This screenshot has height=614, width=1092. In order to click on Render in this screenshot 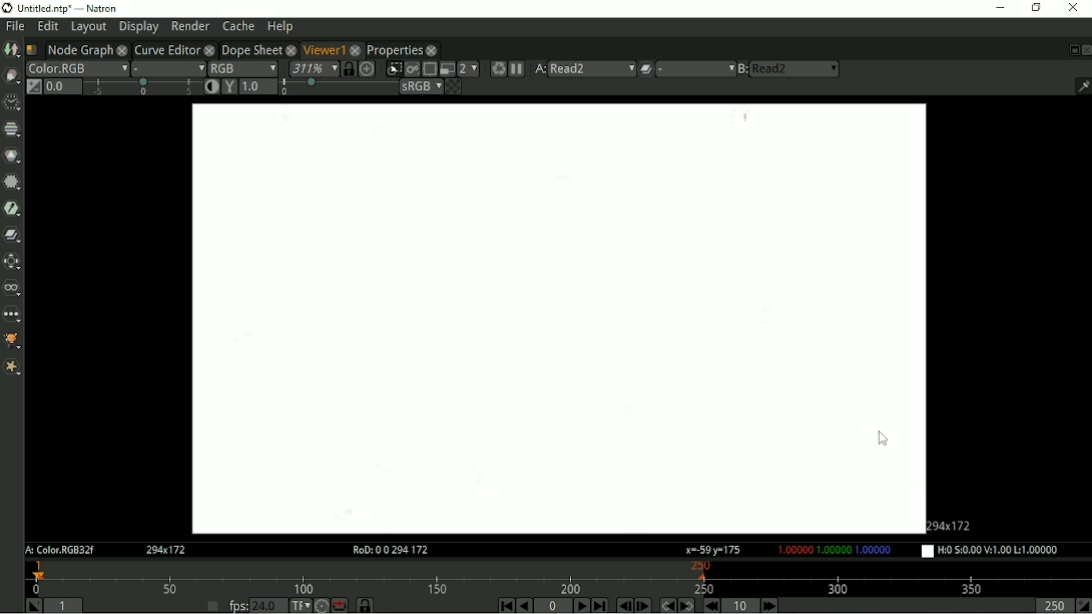, I will do `click(190, 26)`.